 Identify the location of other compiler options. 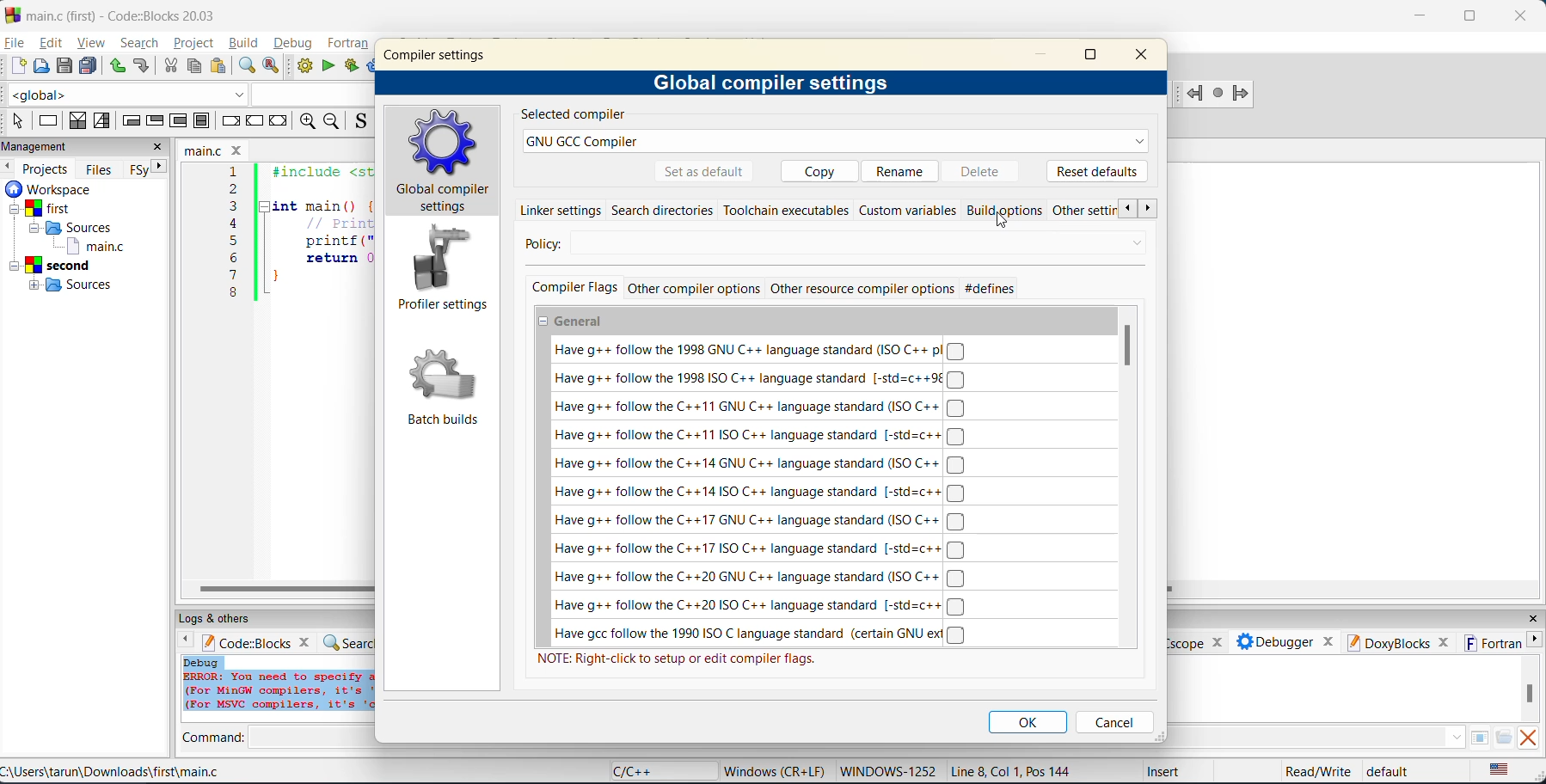
(693, 289).